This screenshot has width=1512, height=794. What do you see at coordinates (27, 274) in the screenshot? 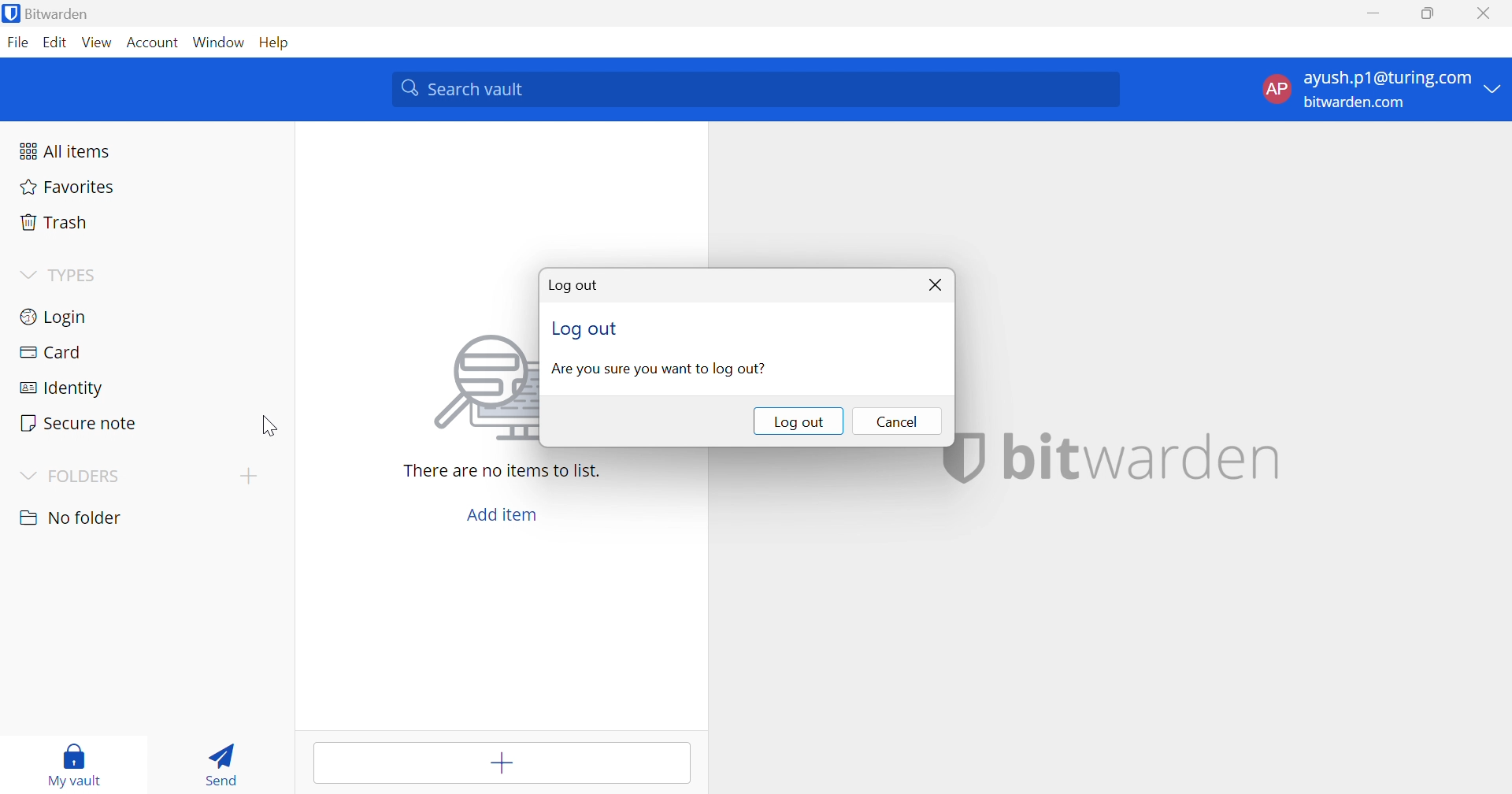
I see `Drop Down` at bounding box center [27, 274].